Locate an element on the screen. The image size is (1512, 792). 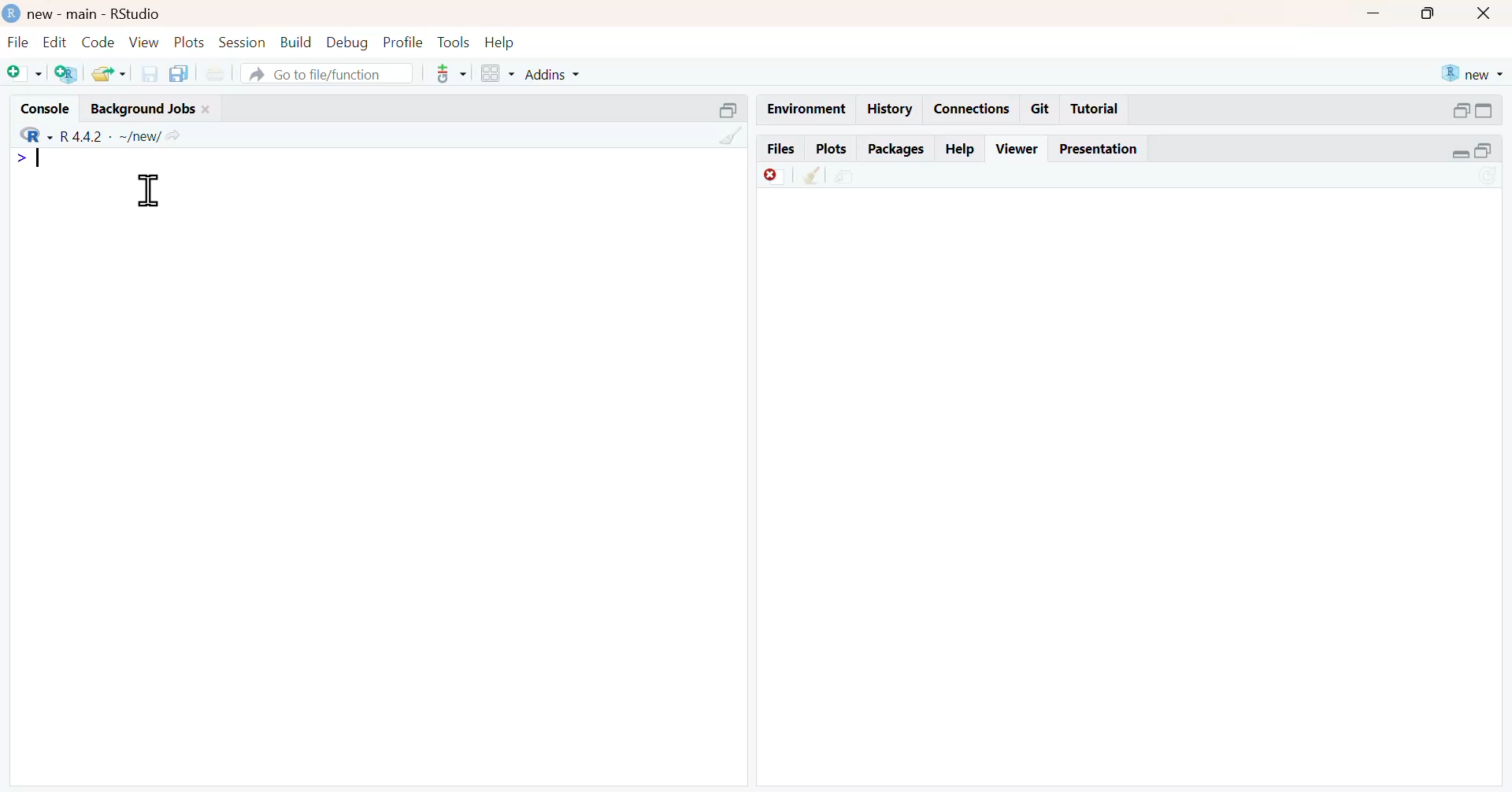
plots is located at coordinates (831, 148).